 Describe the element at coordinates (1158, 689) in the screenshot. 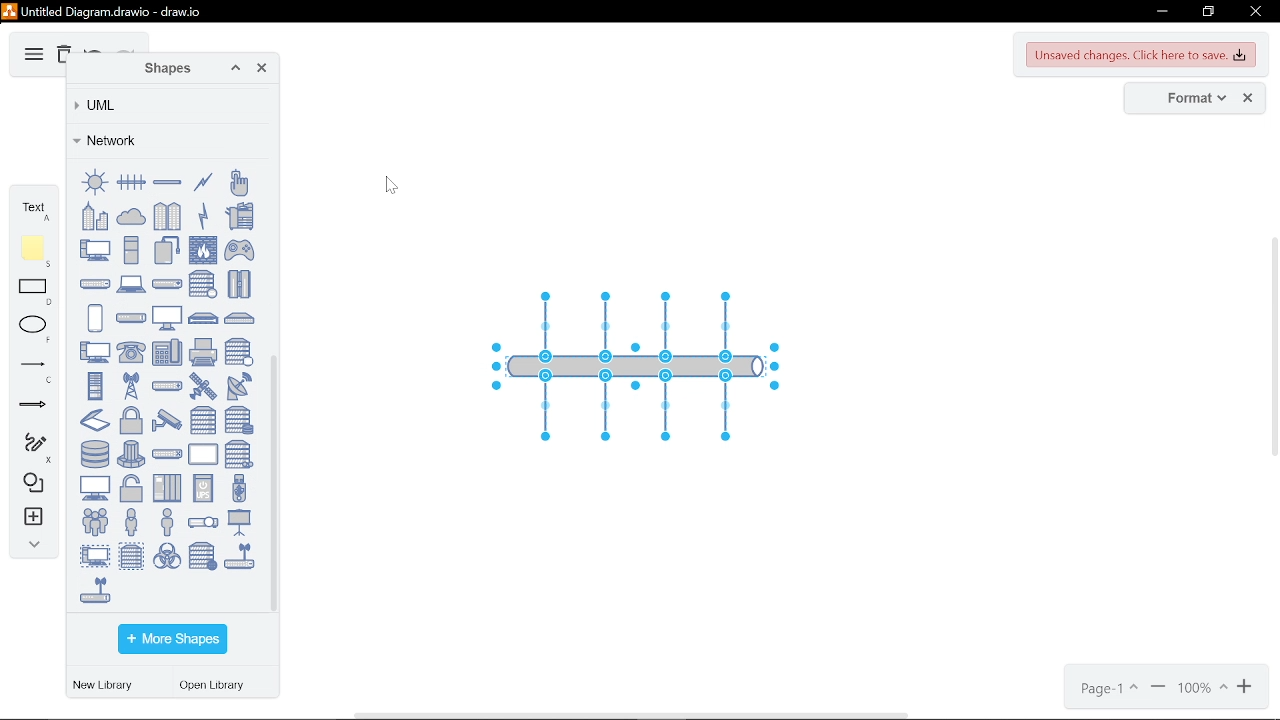

I see `zoom in` at that location.